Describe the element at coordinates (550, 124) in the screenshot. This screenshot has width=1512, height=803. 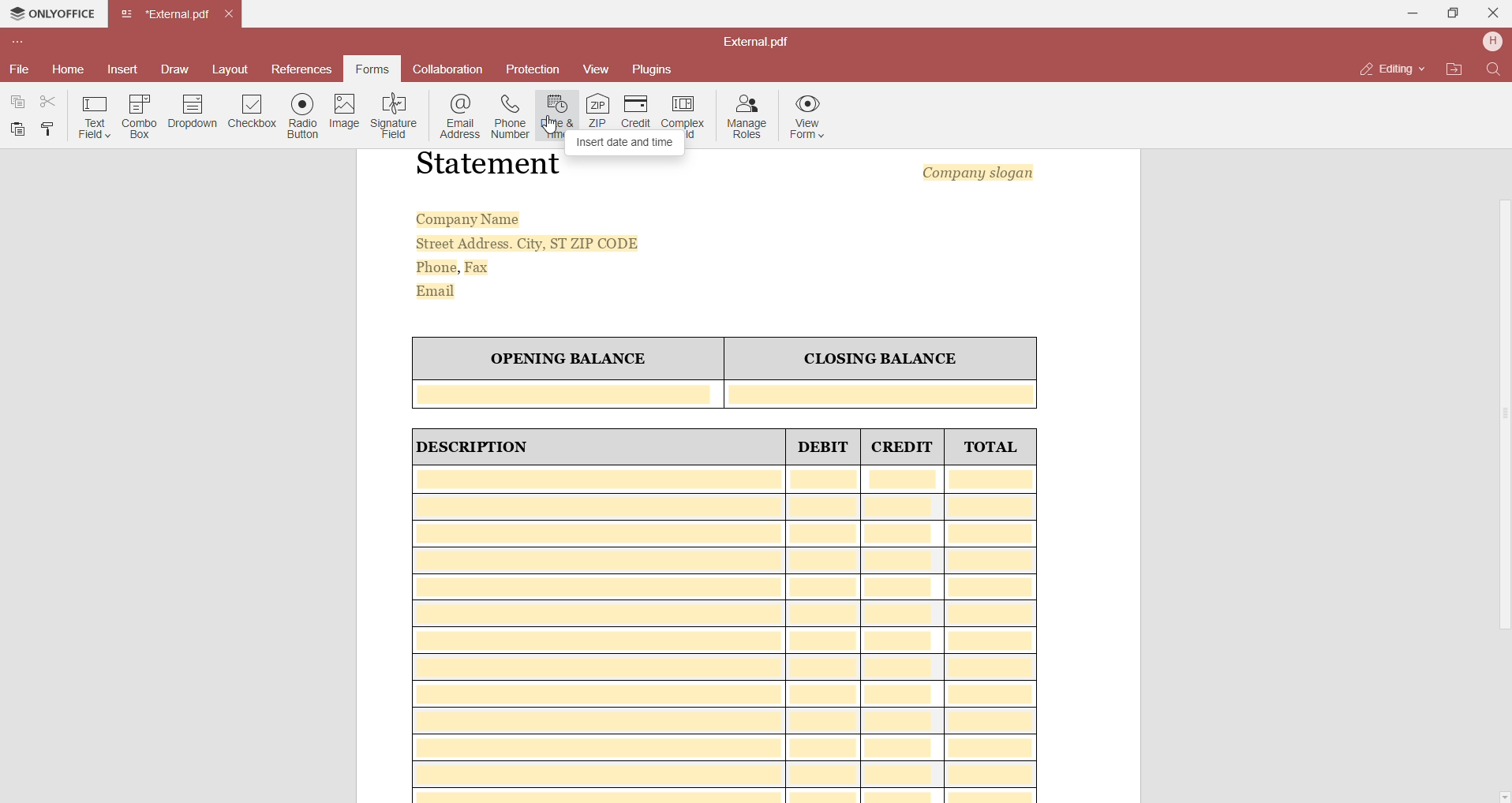
I see `cursor` at that location.